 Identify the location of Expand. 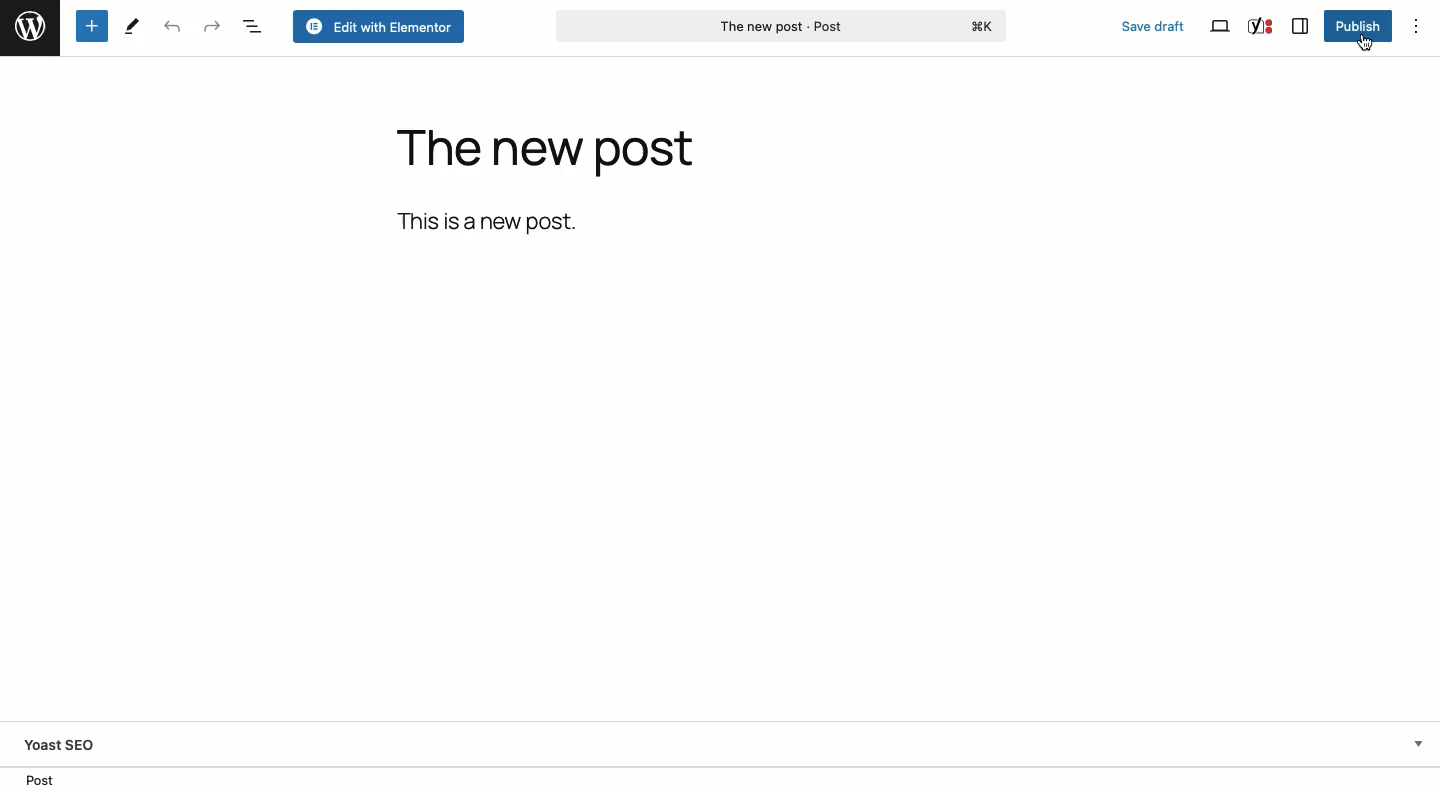
(1416, 744).